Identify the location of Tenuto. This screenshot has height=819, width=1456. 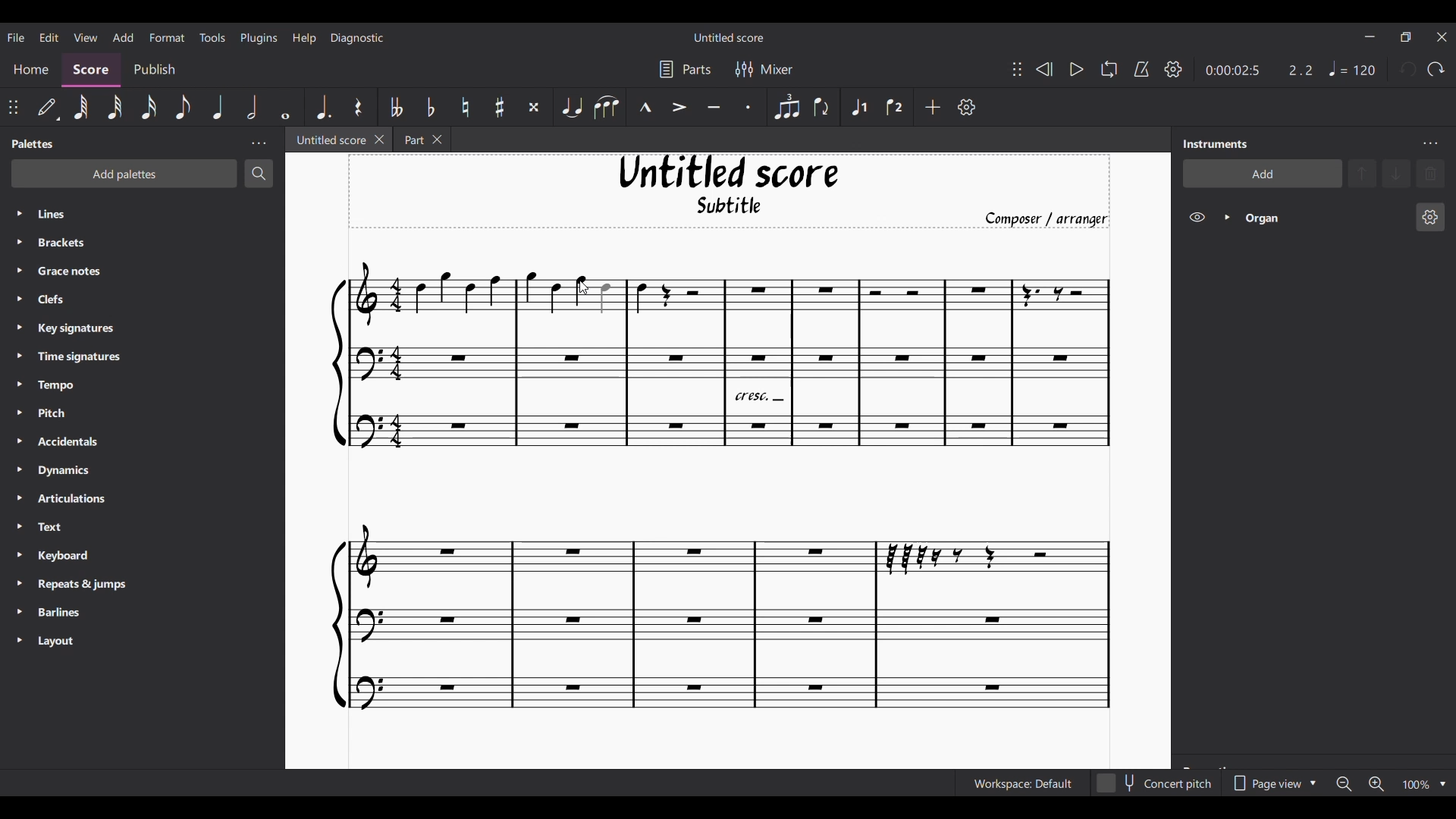
(713, 108).